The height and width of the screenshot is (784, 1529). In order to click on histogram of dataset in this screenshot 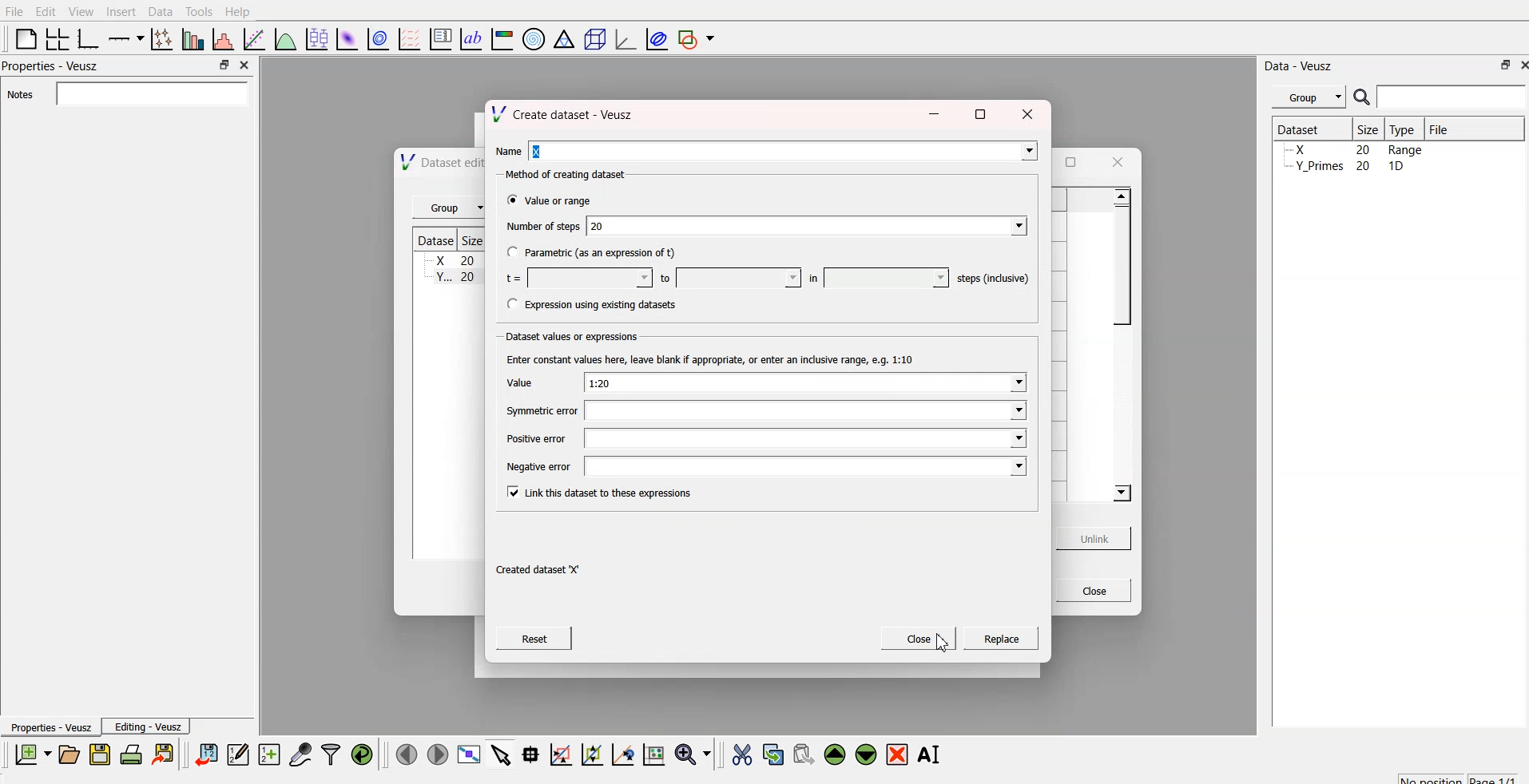, I will do `click(222, 40)`.